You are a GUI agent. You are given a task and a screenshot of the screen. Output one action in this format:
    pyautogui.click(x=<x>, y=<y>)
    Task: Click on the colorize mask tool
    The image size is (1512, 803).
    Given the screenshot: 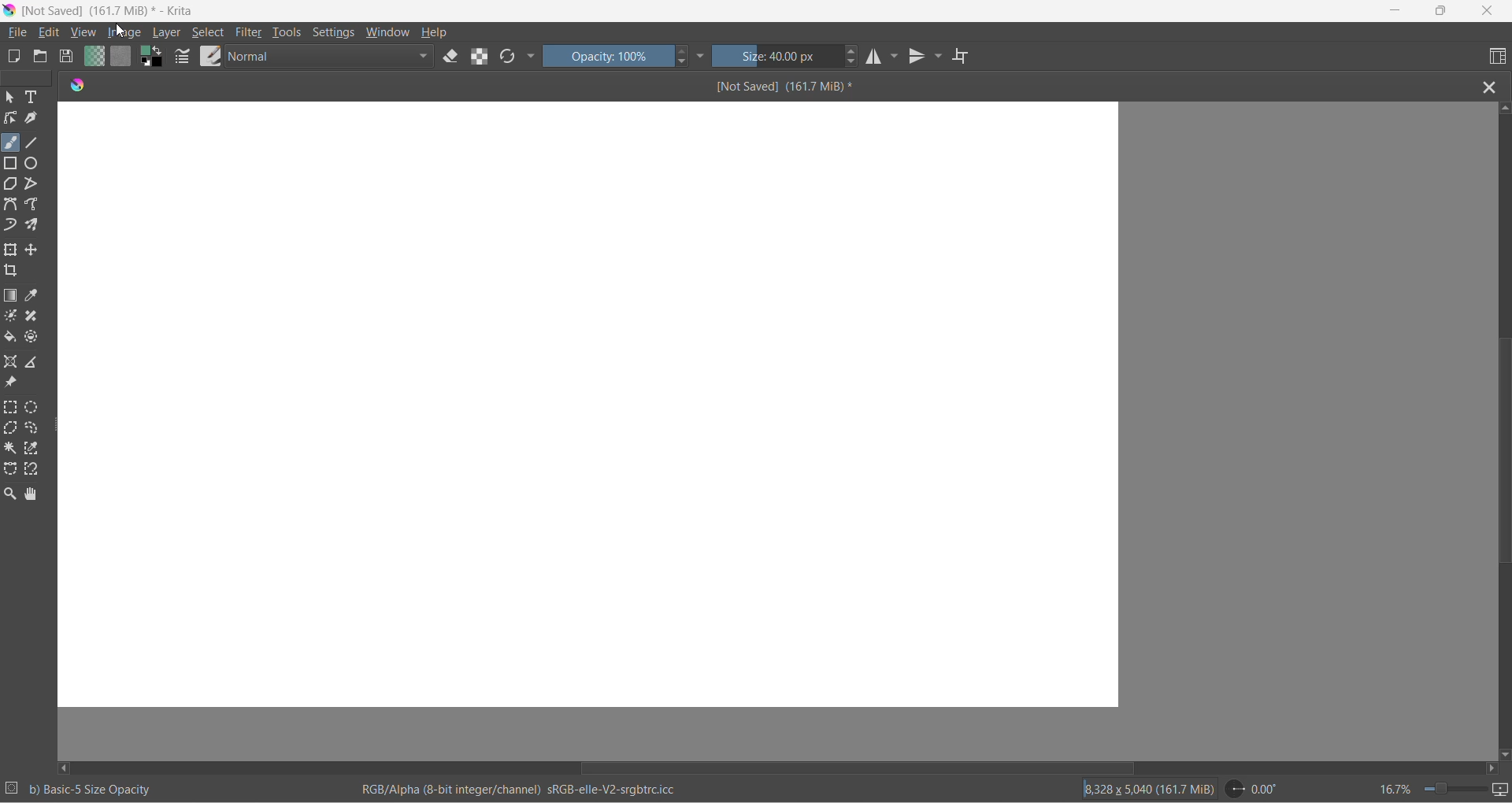 What is the action you would take?
    pyautogui.click(x=12, y=316)
    